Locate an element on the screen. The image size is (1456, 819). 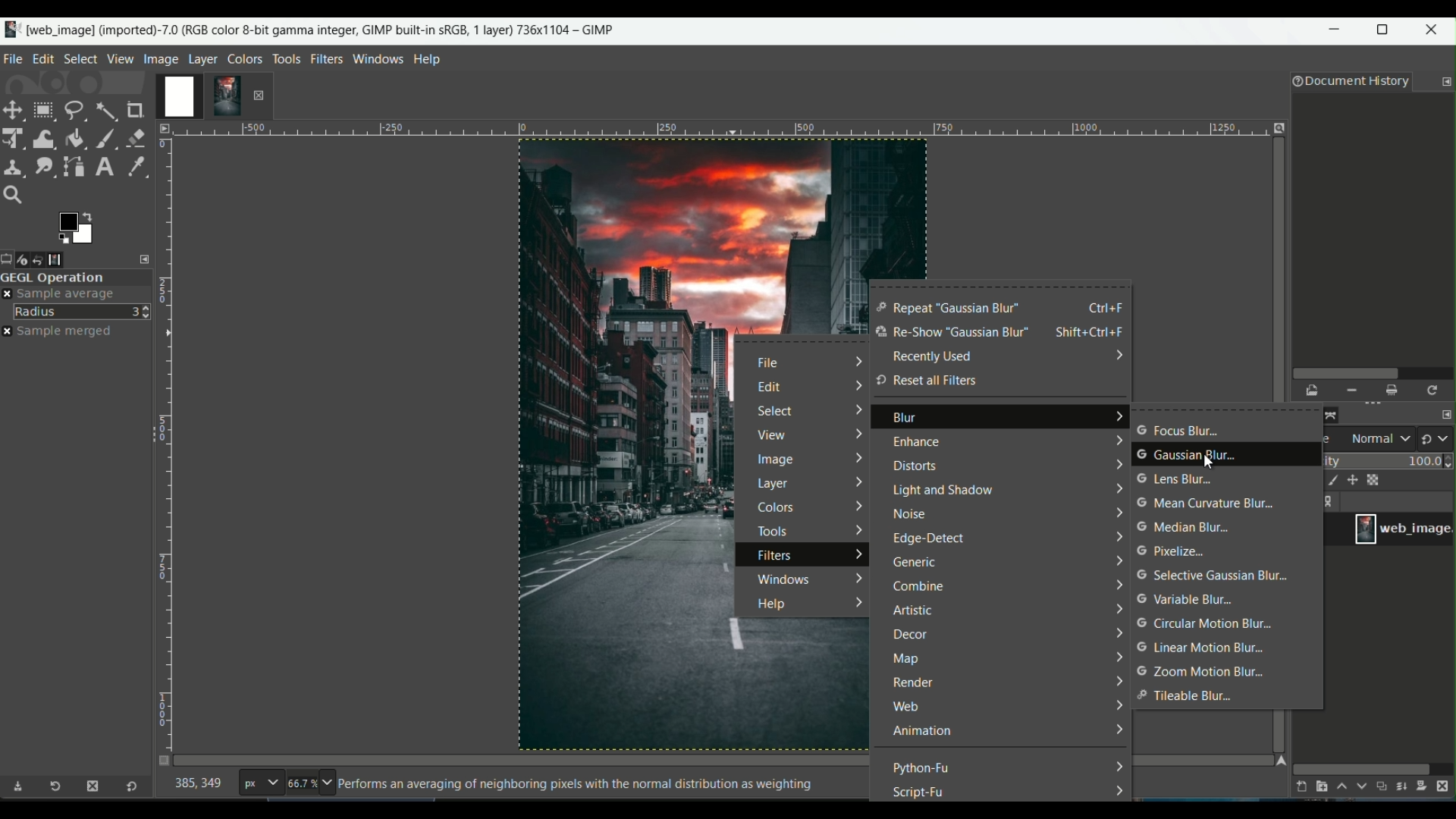
edge detect is located at coordinates (931, 541).